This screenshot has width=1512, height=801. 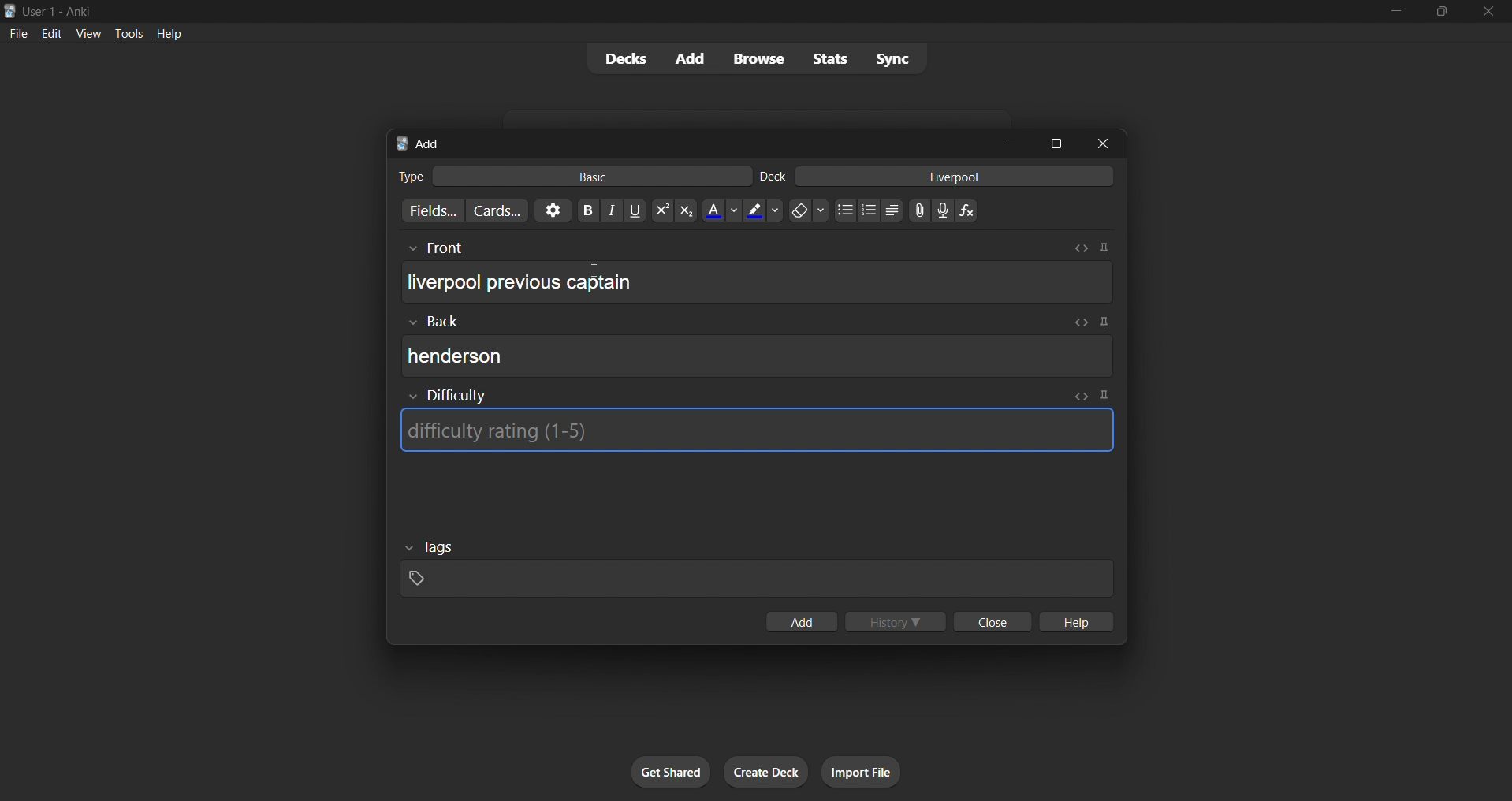 What do you see at coordinates (495, 210) in the screenshot?
I see `customize card templates` at bounding box center [495, 210].